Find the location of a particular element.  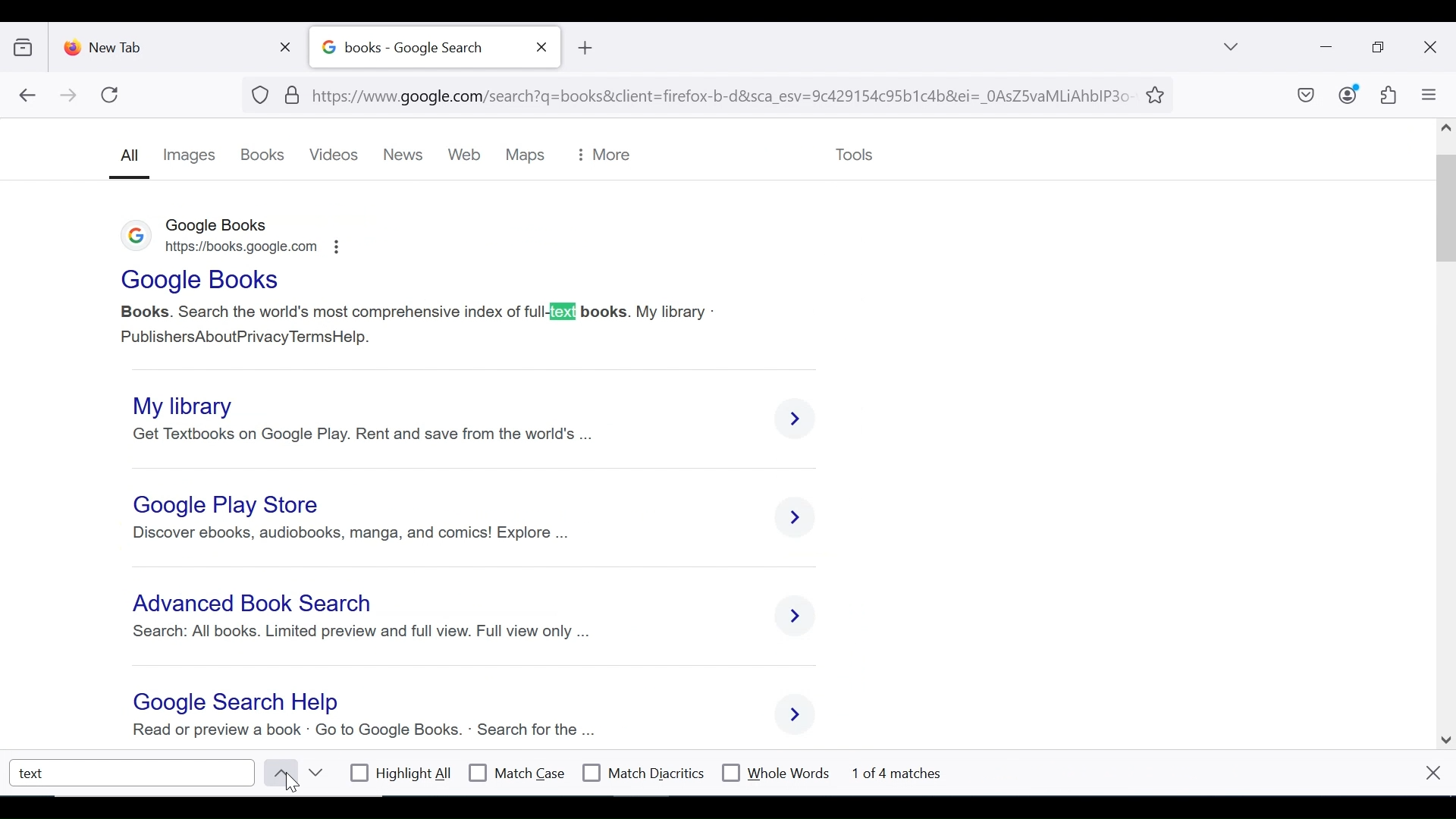

google books is located at coordinates (219, 226).